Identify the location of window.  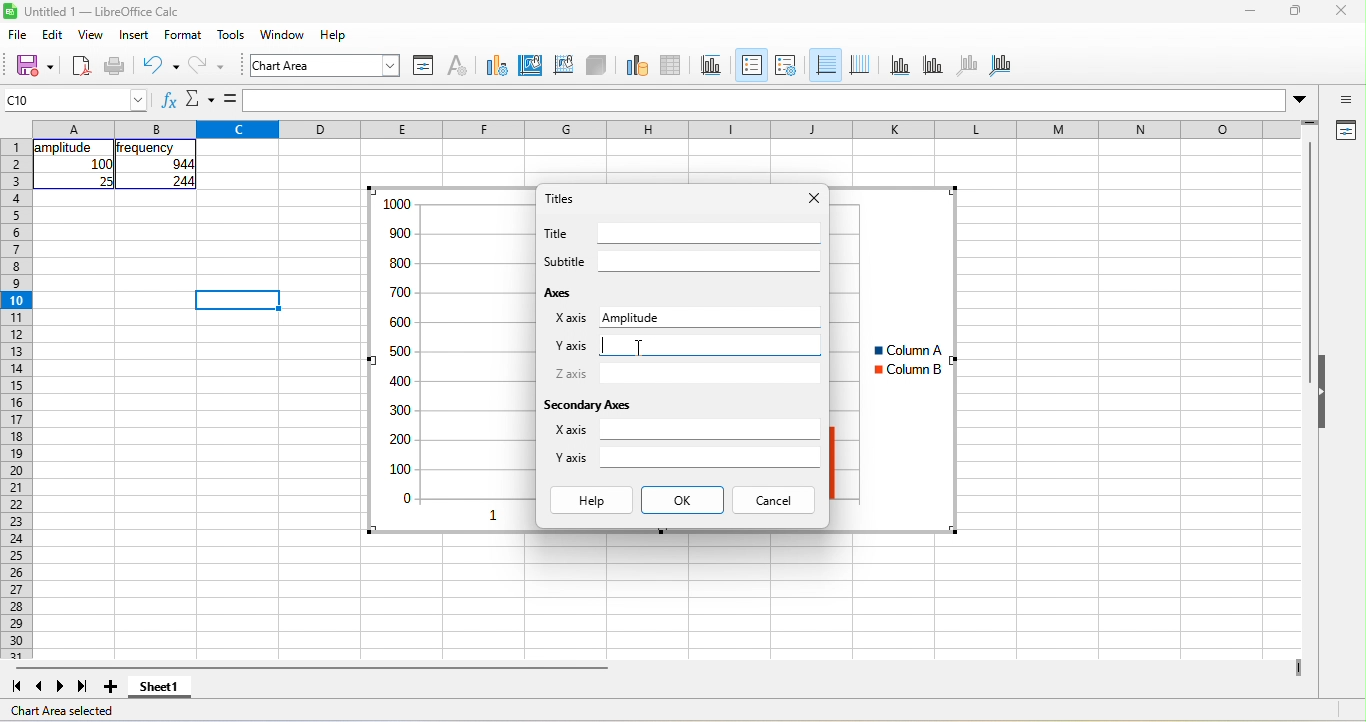
(283, 34).